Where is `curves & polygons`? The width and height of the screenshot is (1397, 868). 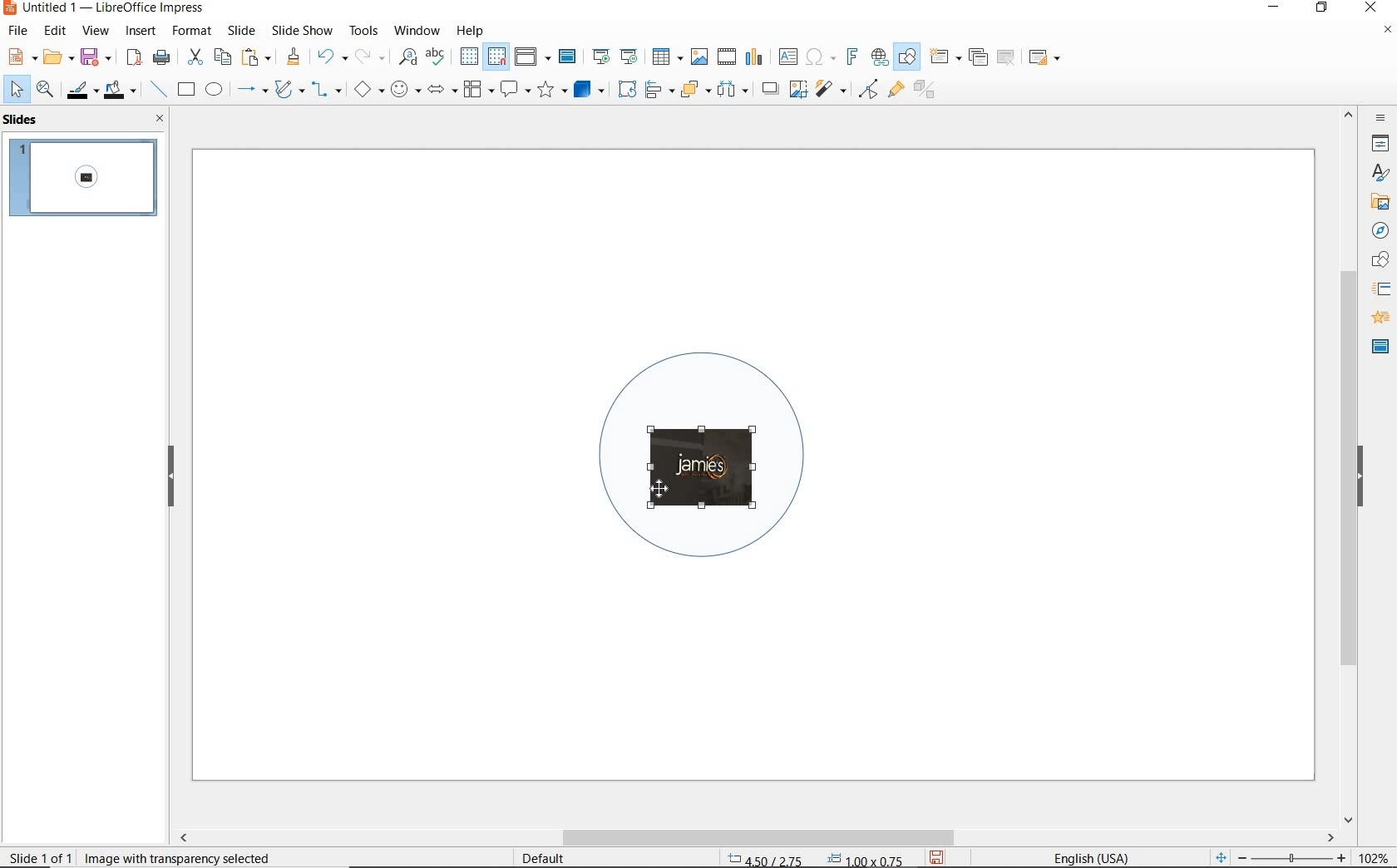 curves & polygons is located at coordinates (289, 90).